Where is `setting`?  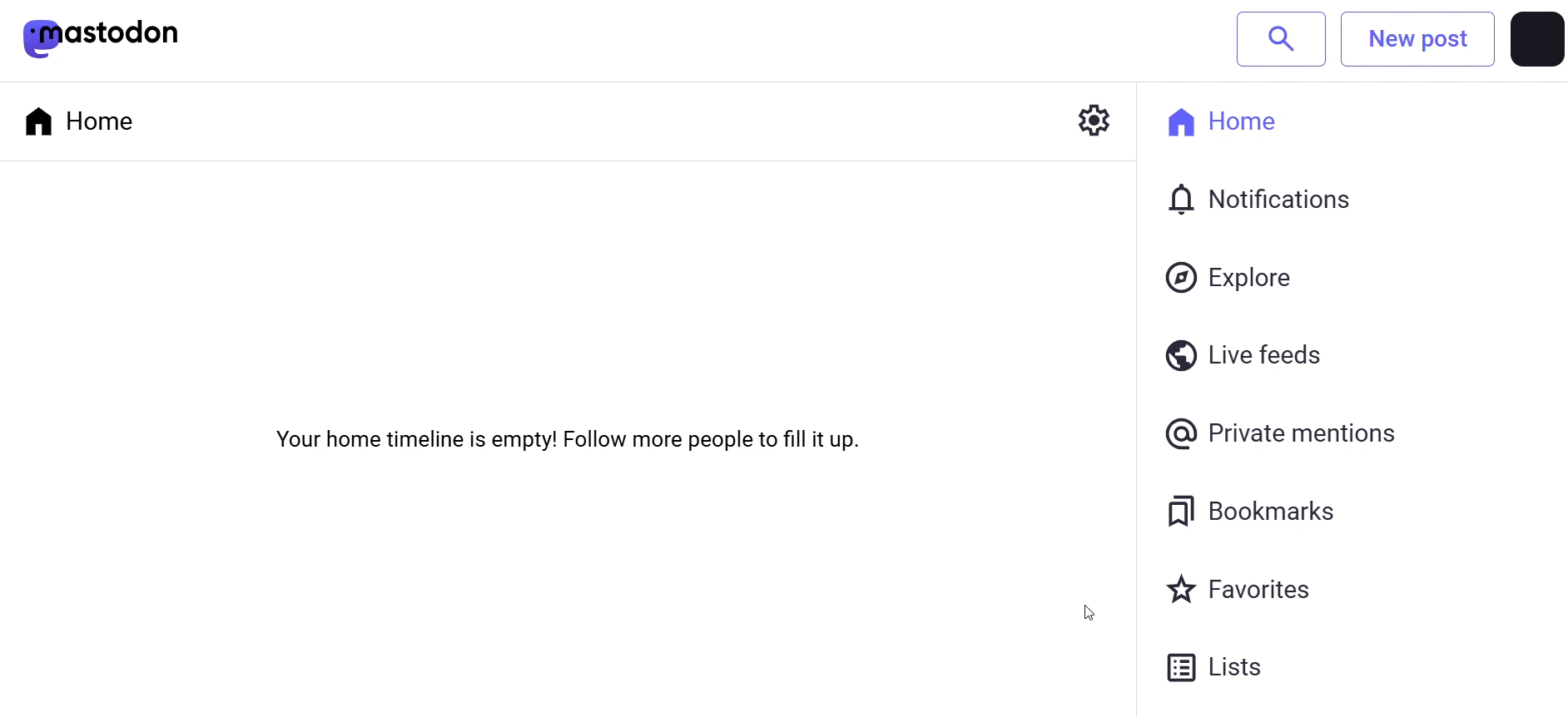
setting is located at coordinates (1094, 121).